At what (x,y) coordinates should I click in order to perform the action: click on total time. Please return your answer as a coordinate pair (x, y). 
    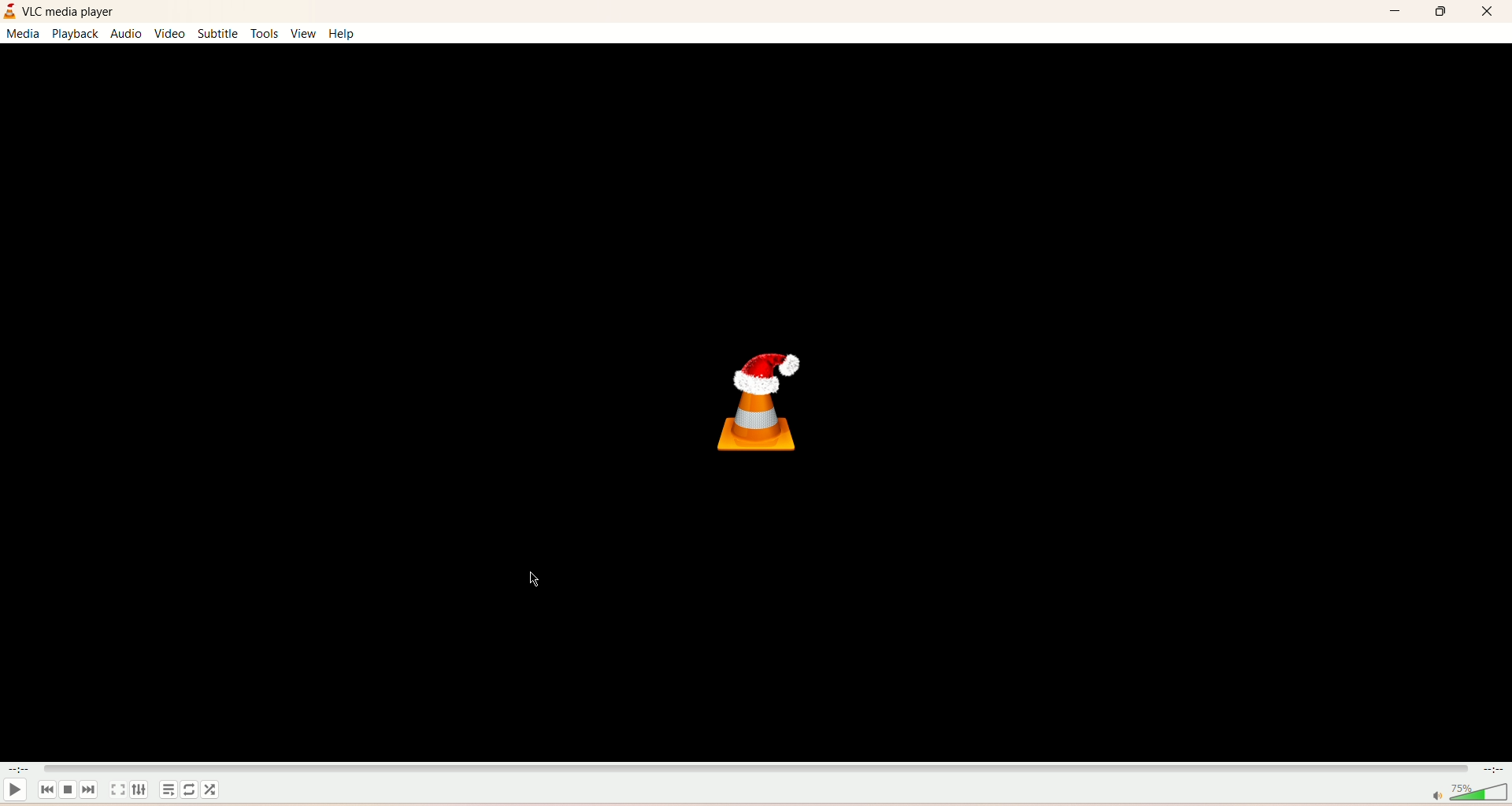
    Looking at the image, I should click on (1494, 769).